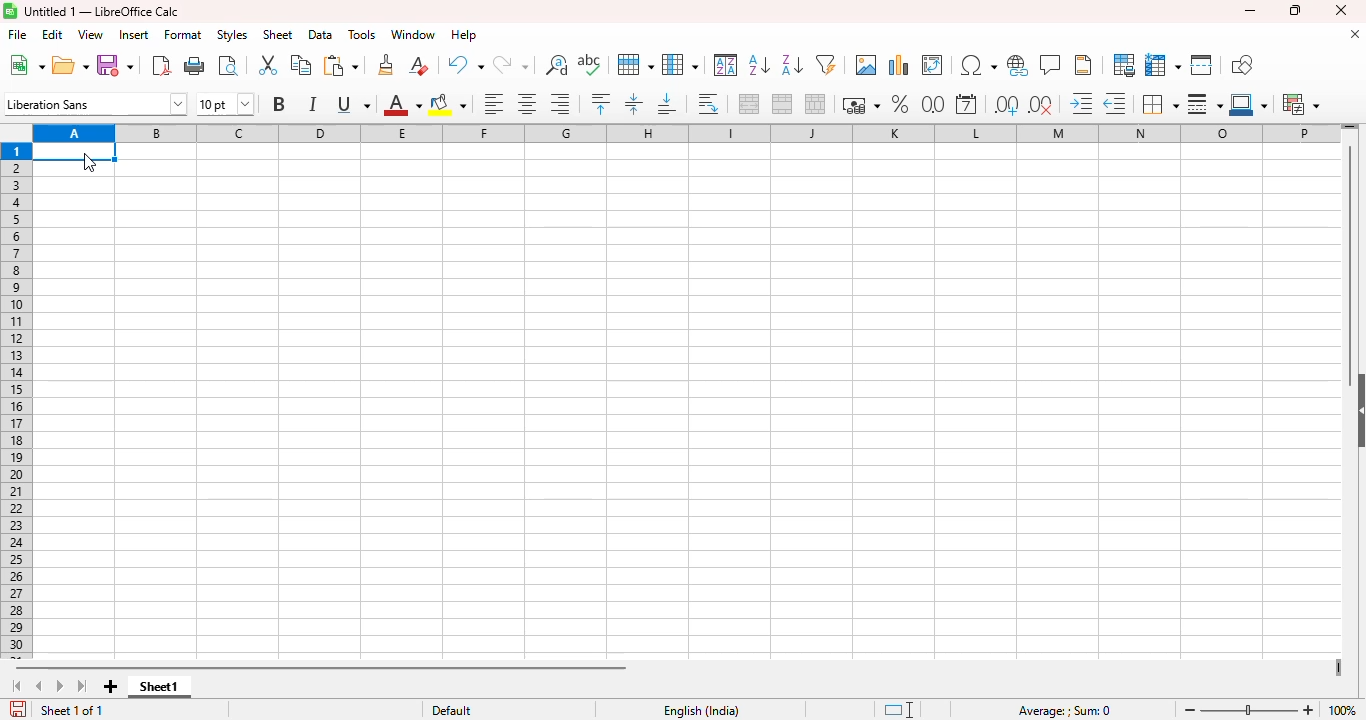 This screenshot has height=720, width=1366. Describe the element at coordinates (557, 65) in the screenshot. I see `find and replace` at that location.